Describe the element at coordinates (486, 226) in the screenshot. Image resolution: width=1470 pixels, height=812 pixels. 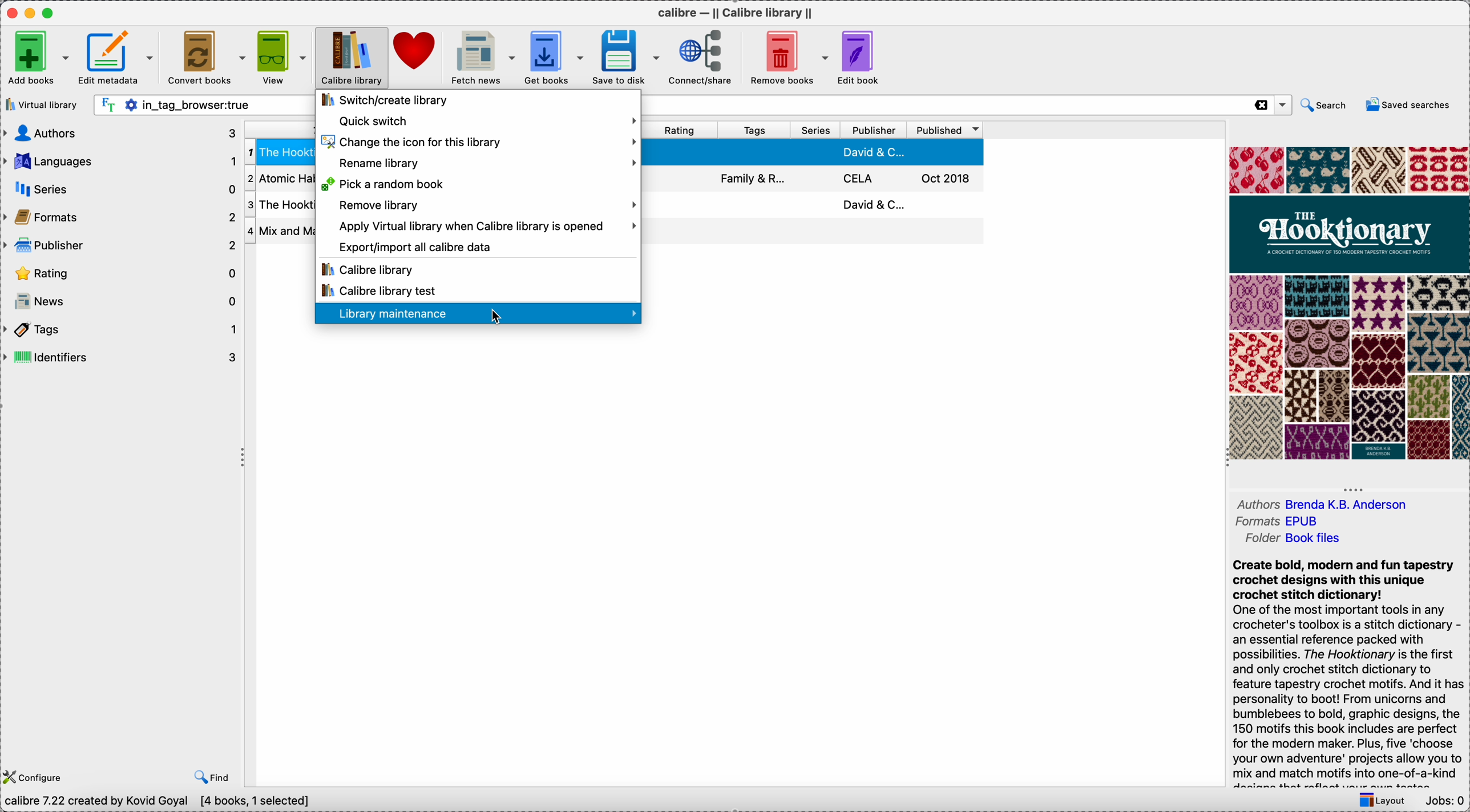
I see `apply virtual library when Calibre library is opened` at that location.